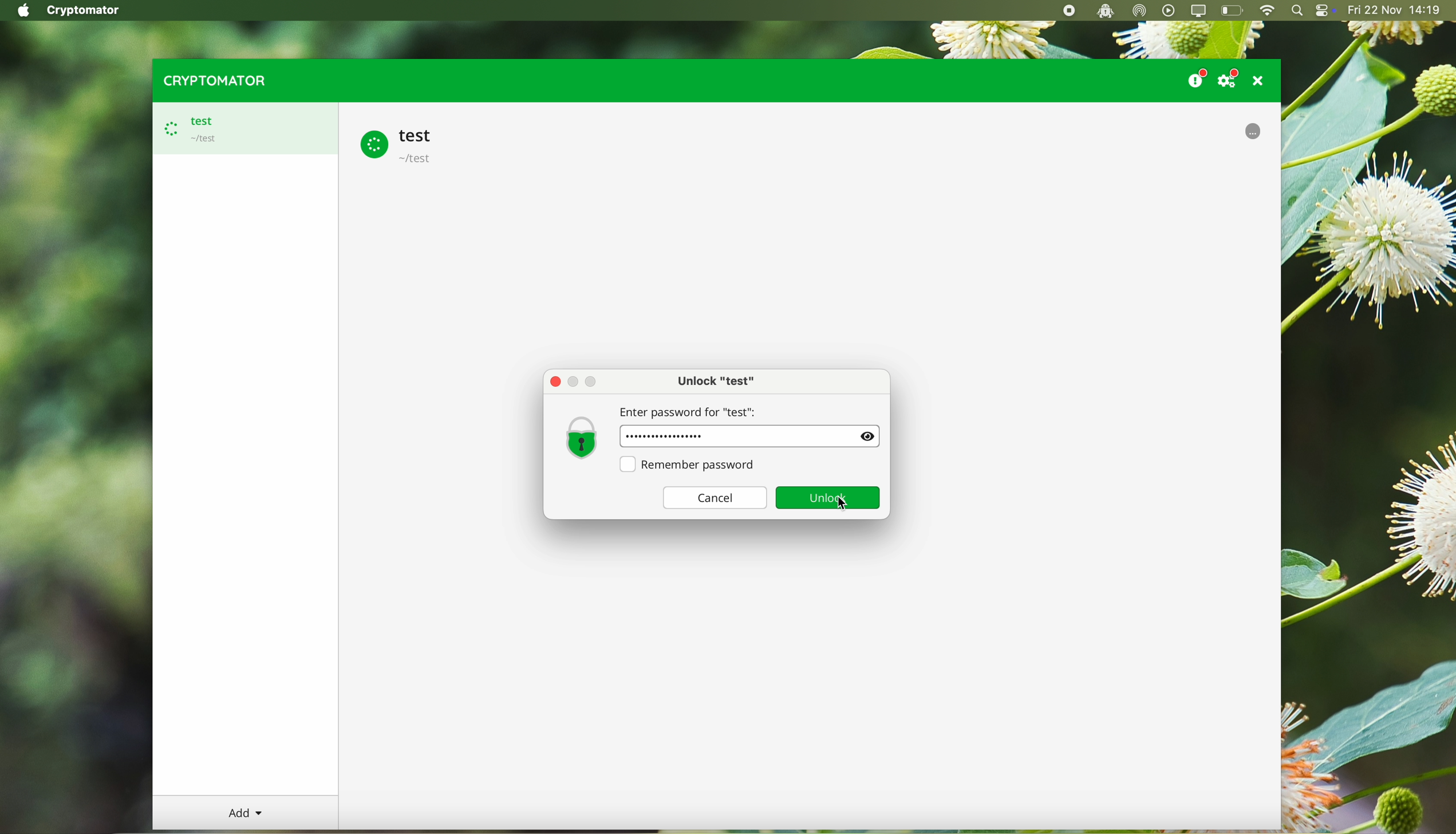 This screenshot has width=1456, height=834. I want to click on Show, so click(867, 435).